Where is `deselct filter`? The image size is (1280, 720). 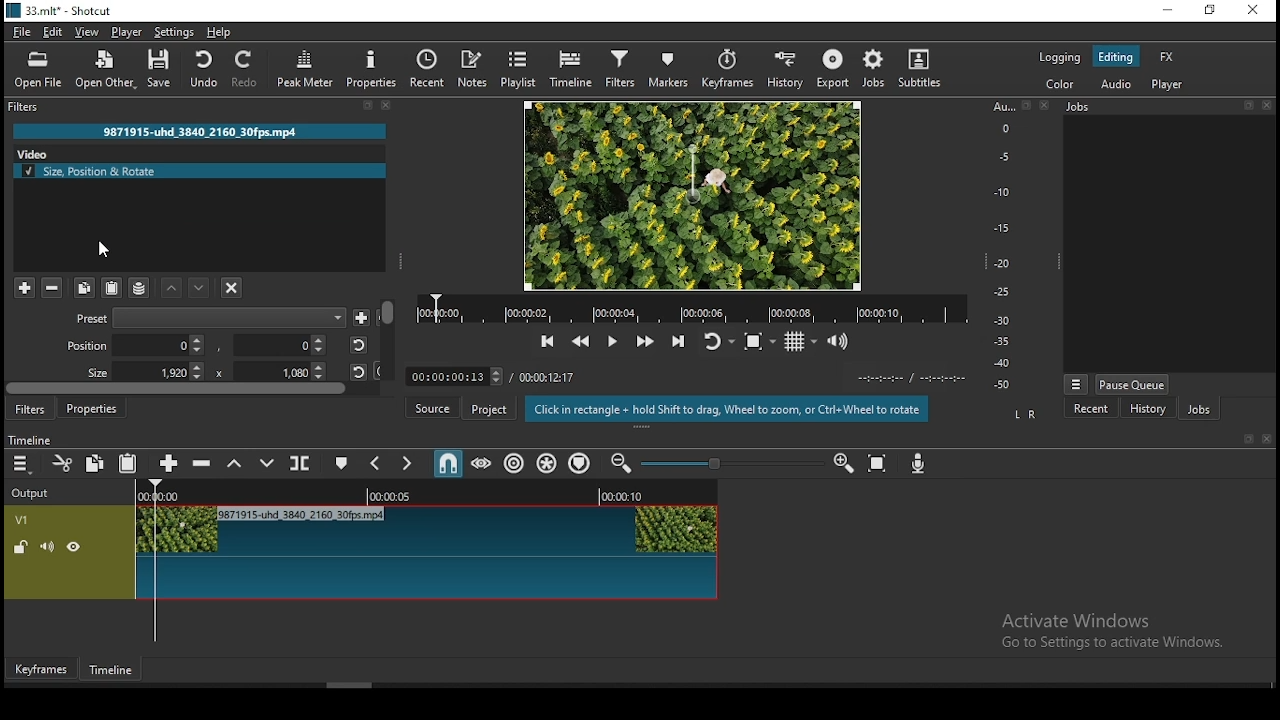
deselct filter is located at coordinates (233, 289).